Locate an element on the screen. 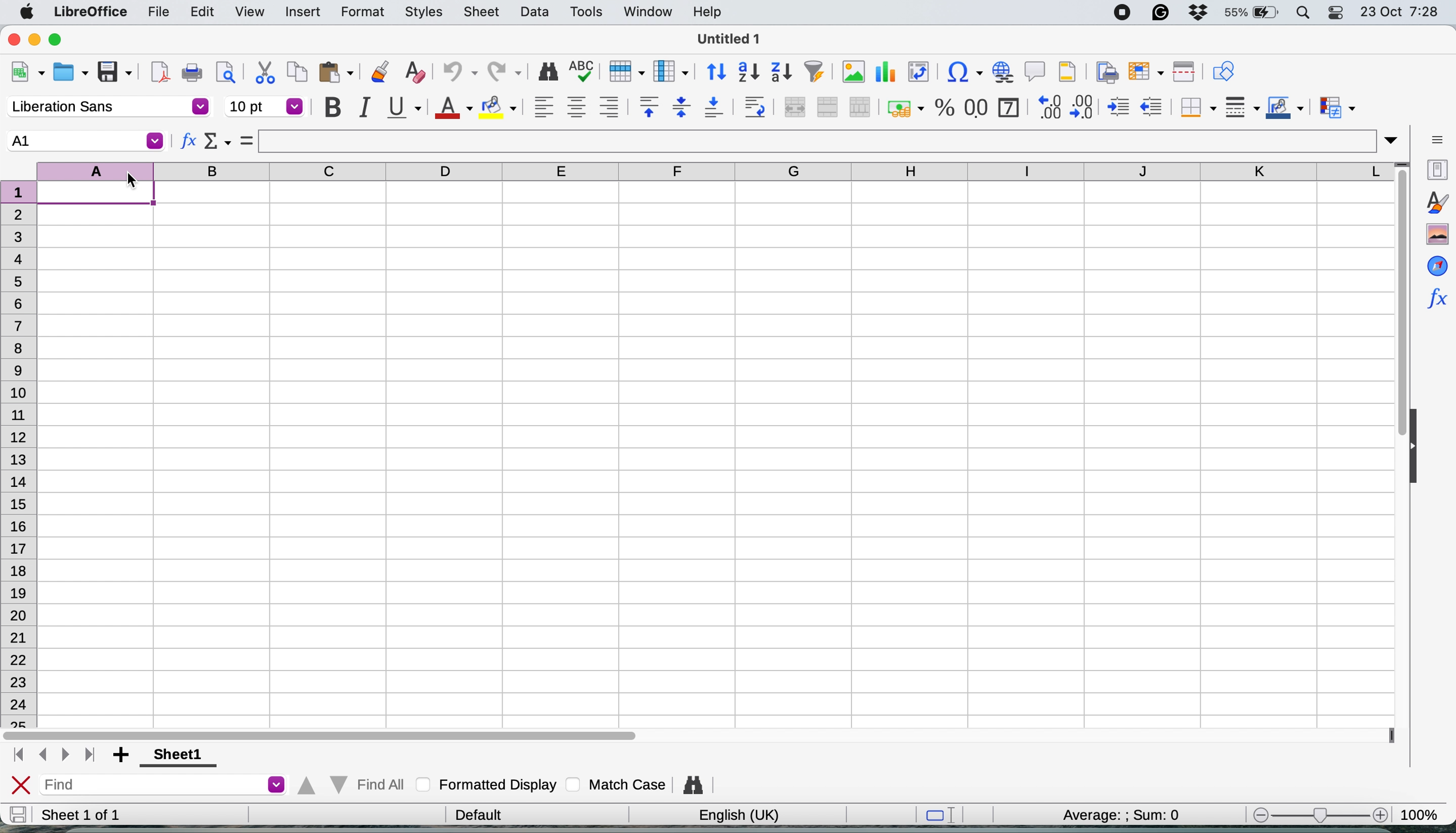 The width and height of the screenshot is (1456, 833). find is located at coordinates (162, 784).